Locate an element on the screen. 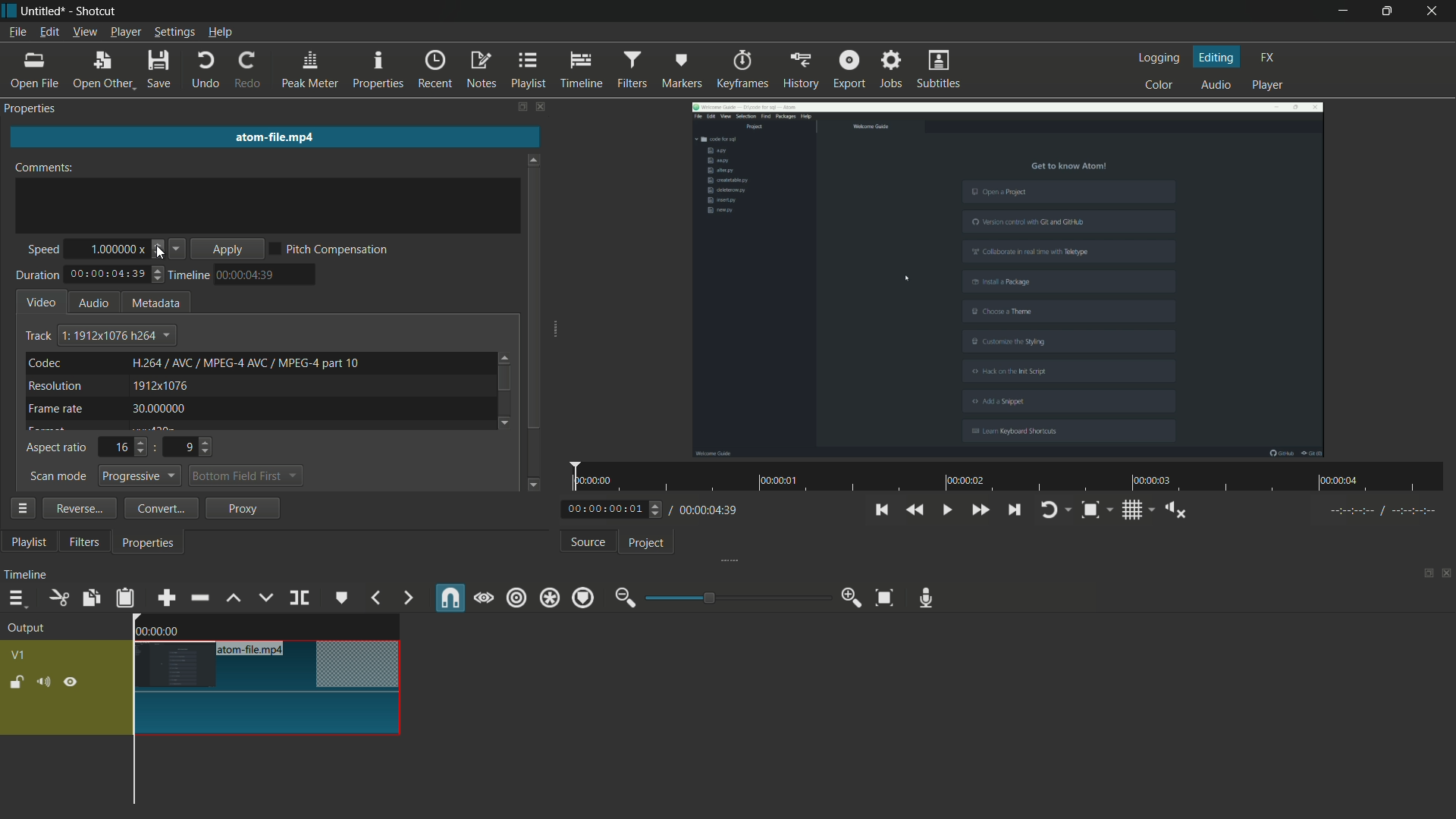  convert is located at coordinates (157, 508).